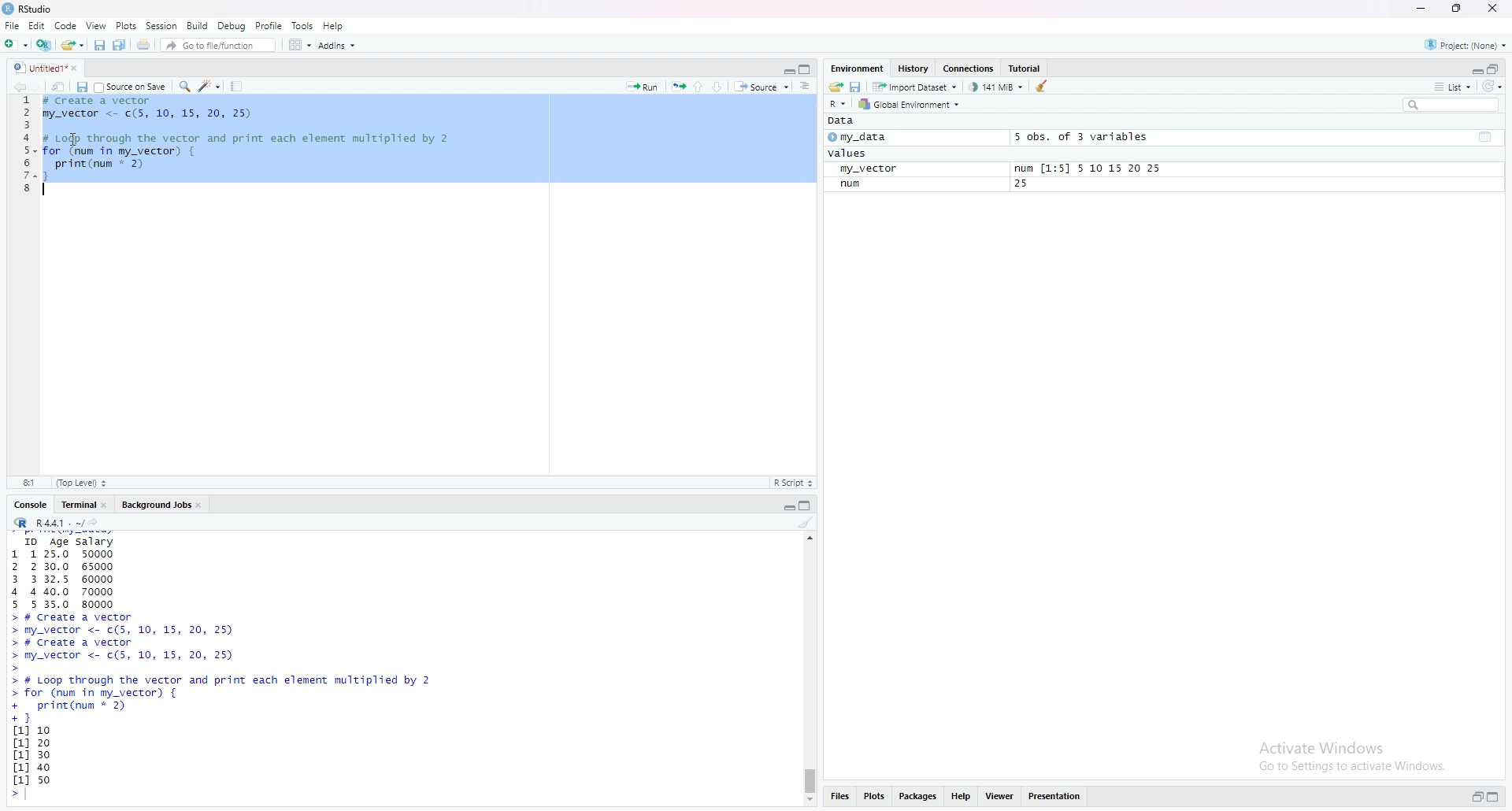  What do you see at coordinates (45, 190) in the screenshot?
I see `text cursor` at bounding box center [45, 190].